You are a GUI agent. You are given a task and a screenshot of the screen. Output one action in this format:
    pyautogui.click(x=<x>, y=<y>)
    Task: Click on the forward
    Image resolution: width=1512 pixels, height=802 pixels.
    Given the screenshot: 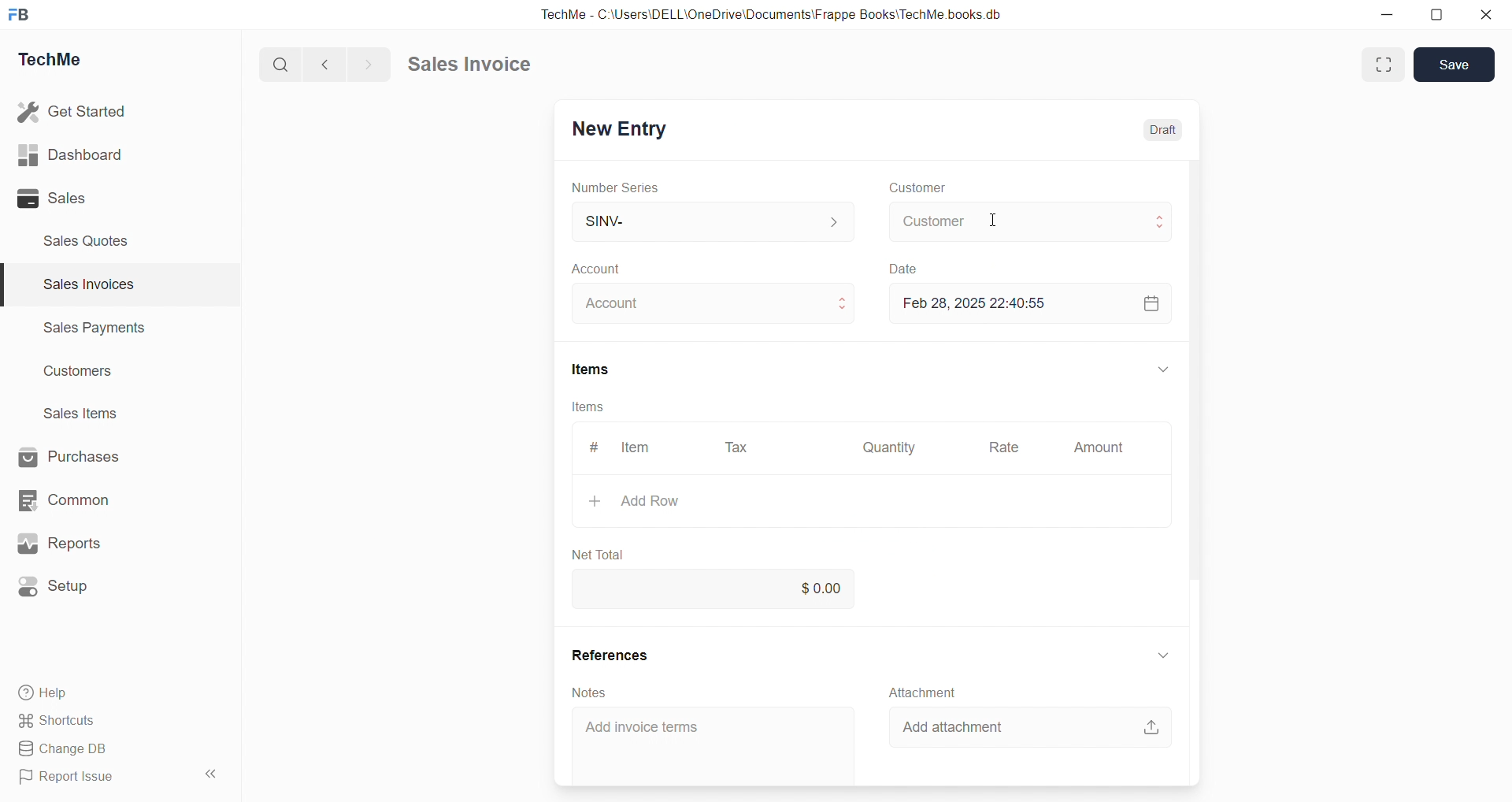 What is the action you would take?
    pyautogui.click(x=366, y=65)
    